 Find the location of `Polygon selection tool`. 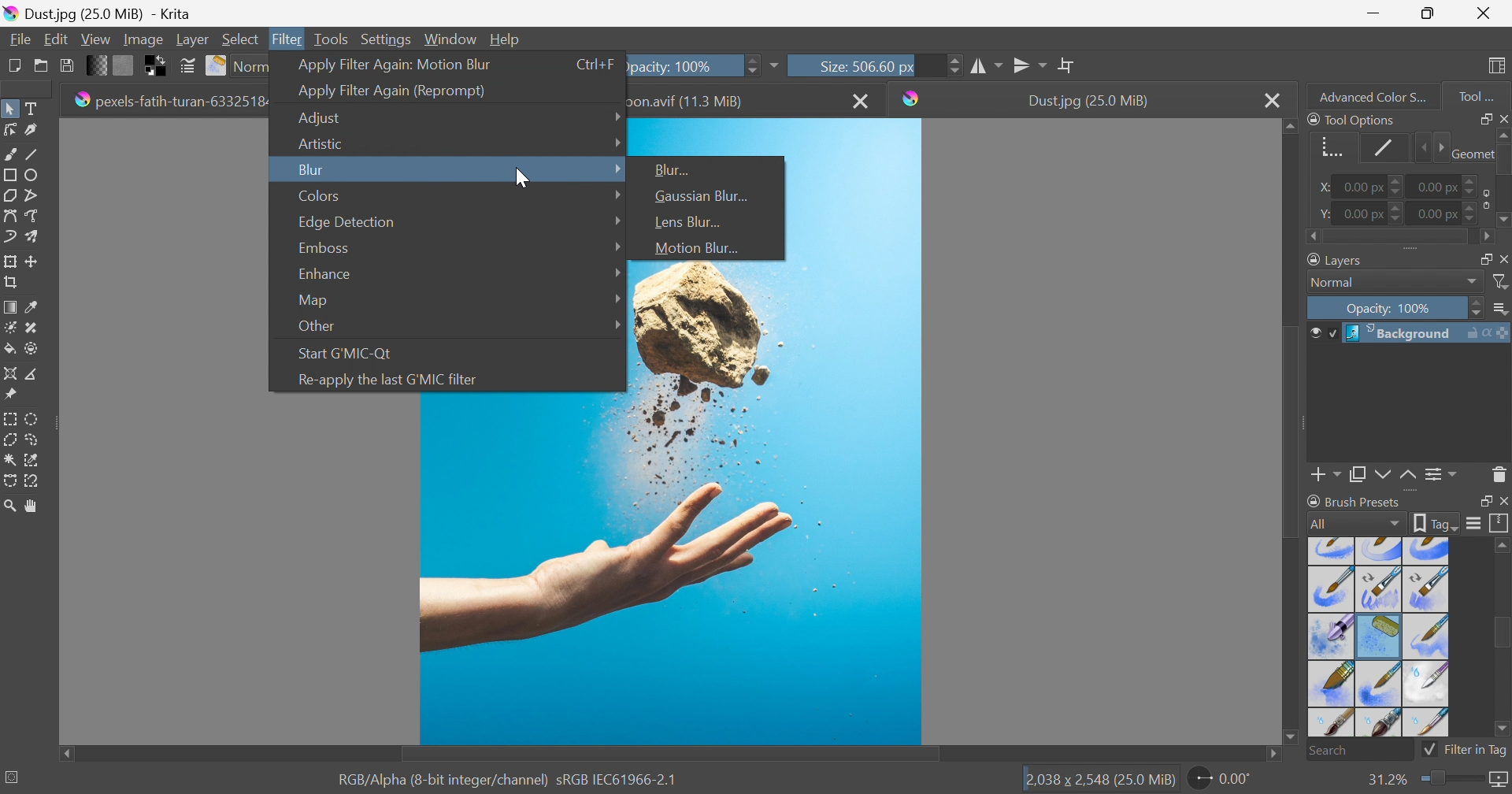

Polygon selection tool is located at coordinates (13, 439).